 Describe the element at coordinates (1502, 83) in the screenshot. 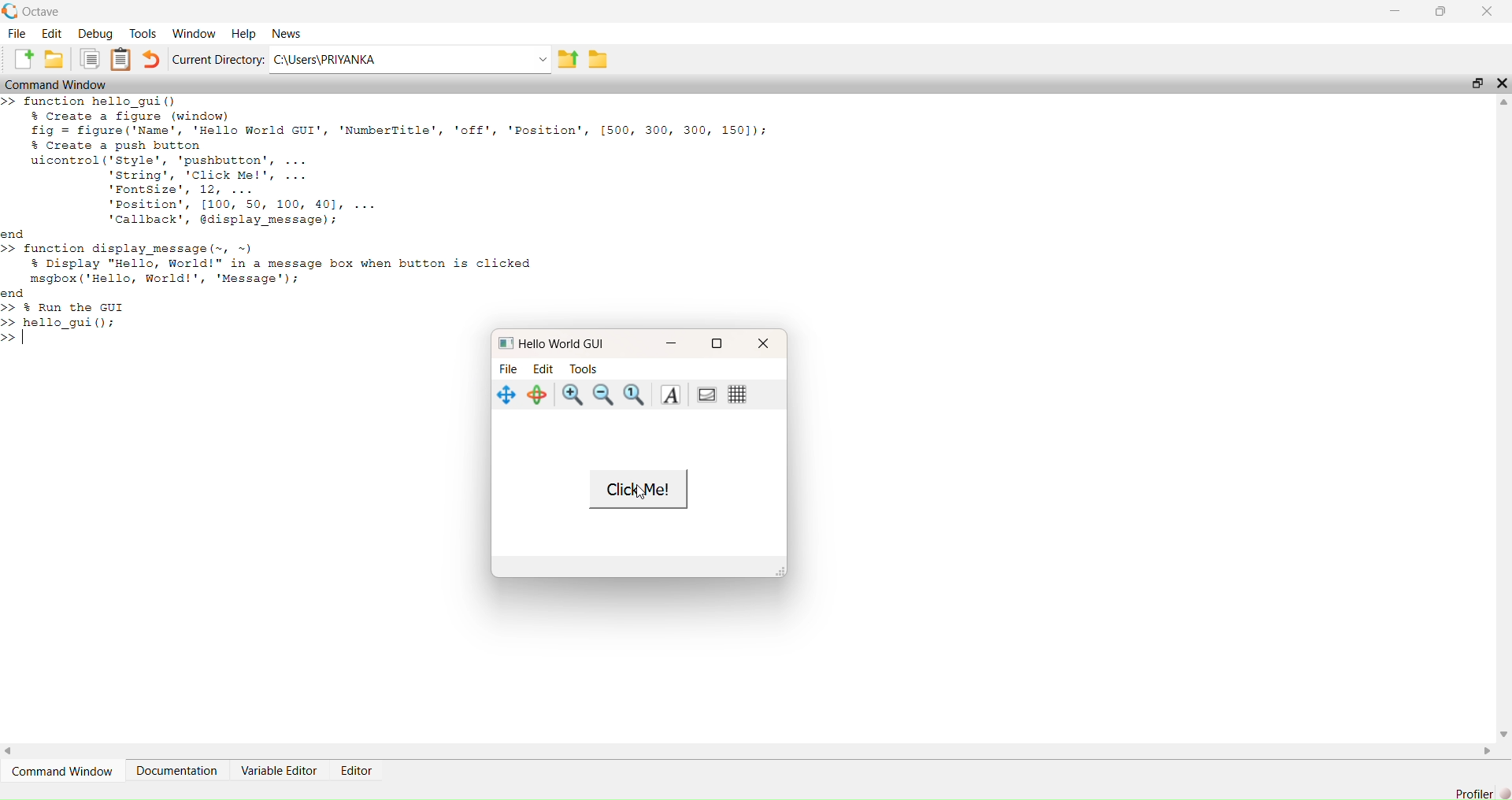

I see `close` at that location.